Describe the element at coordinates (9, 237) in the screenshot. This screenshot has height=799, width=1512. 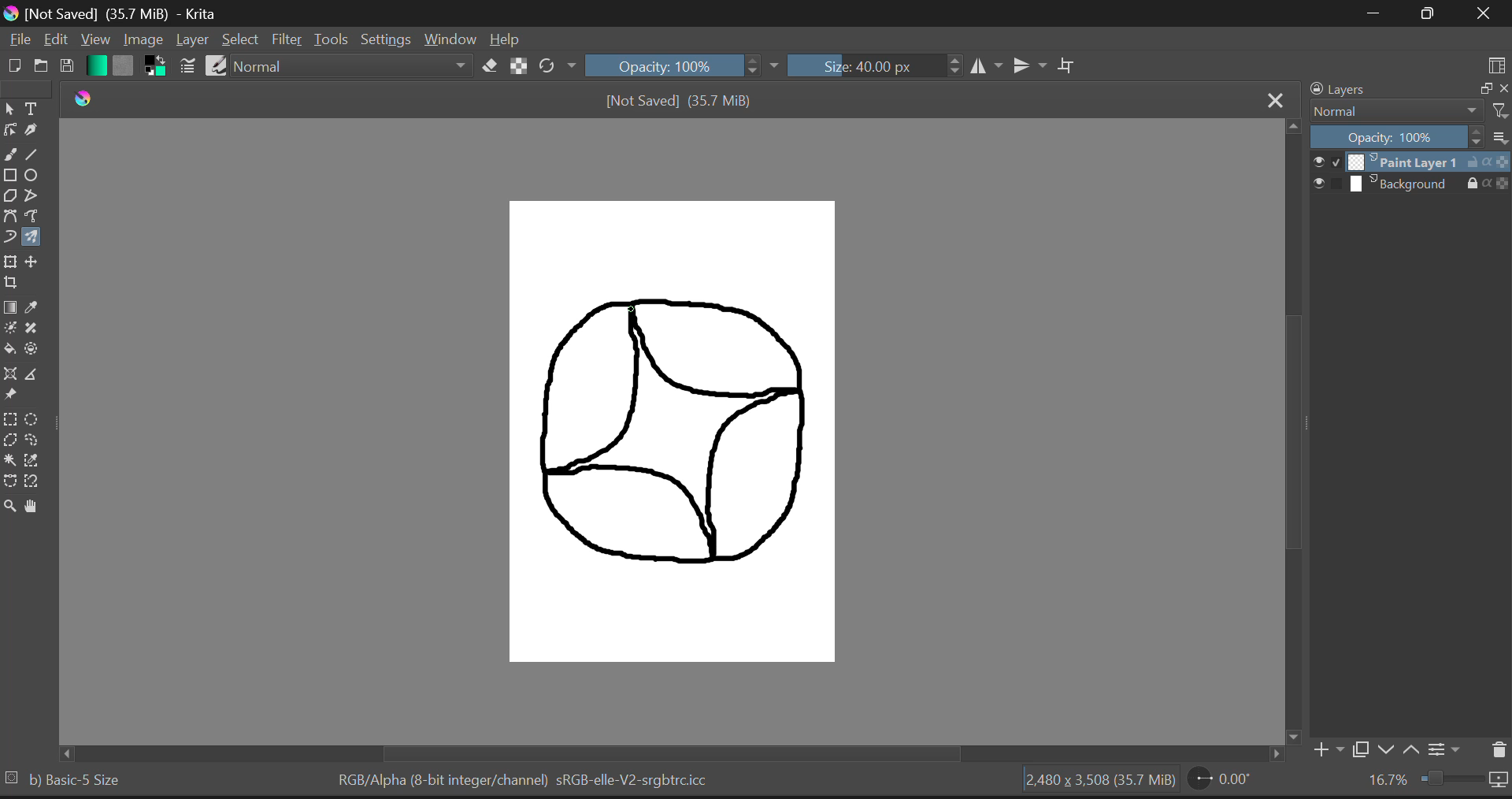
I see `Dynamic Brush` at that location.